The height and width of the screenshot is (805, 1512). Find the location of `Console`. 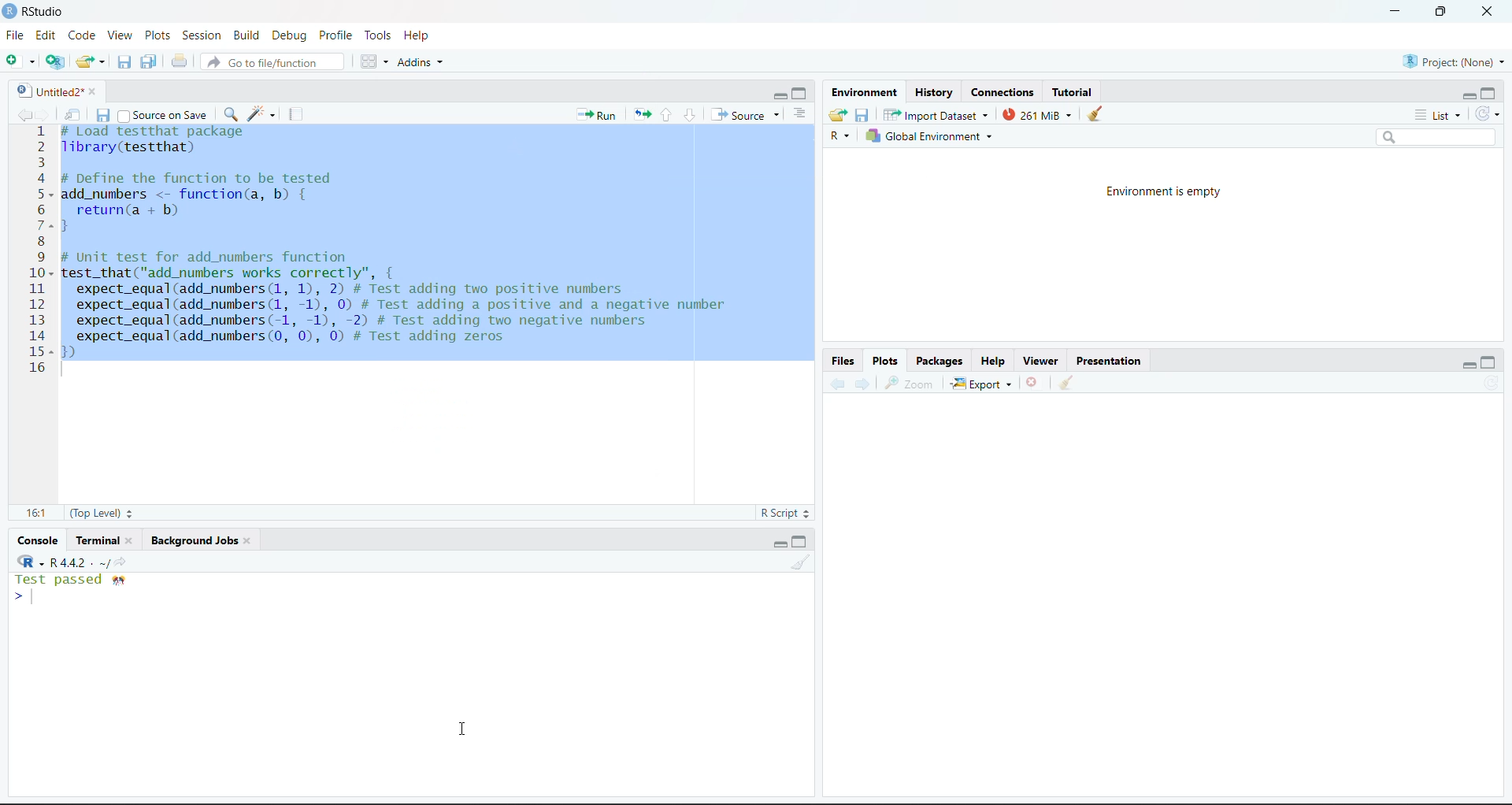

Console is located at coordinates (36, 539).